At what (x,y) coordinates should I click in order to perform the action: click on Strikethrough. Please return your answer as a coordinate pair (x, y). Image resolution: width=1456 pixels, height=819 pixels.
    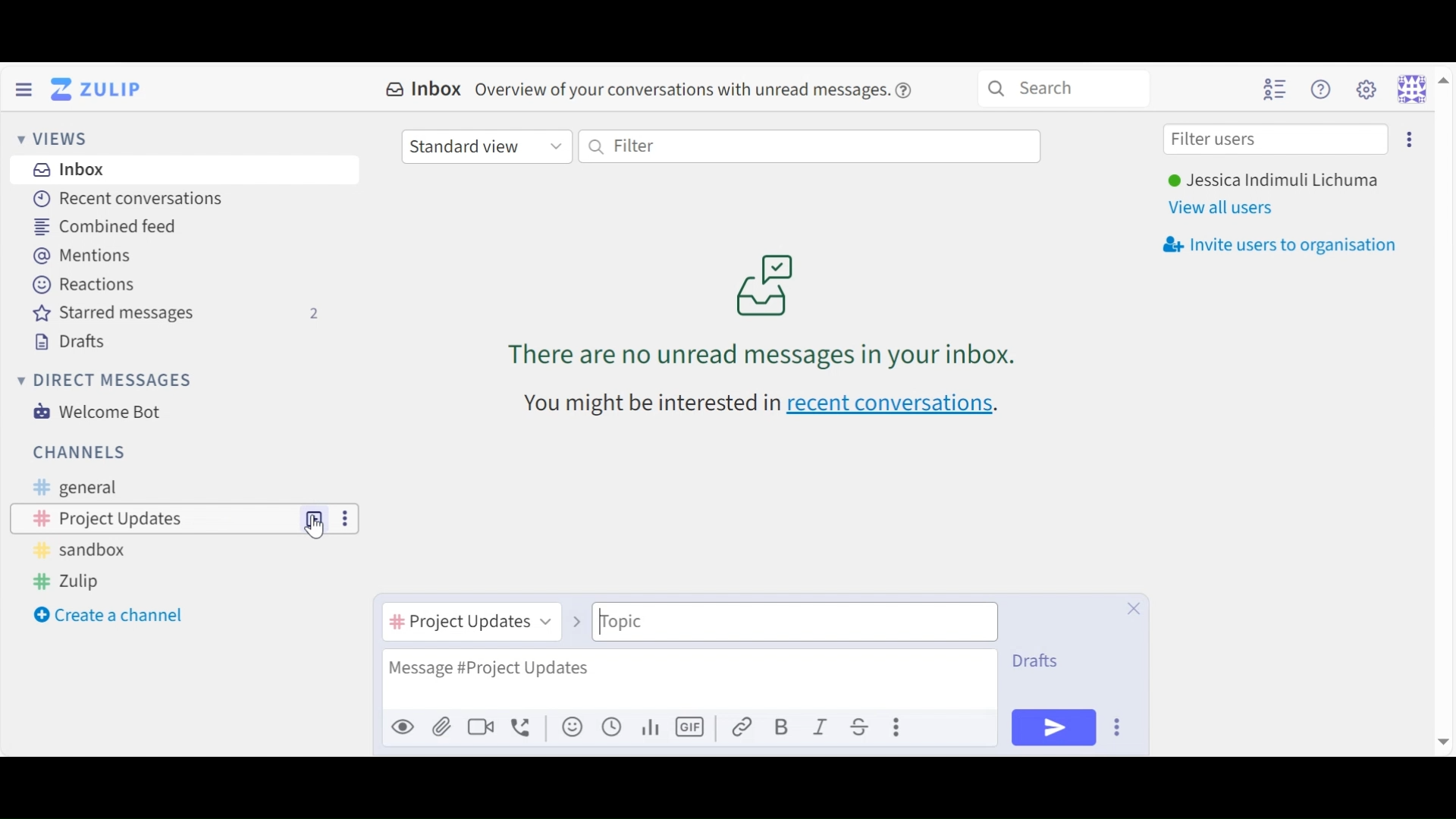
    Looking at the image, I should click on (862, 726).